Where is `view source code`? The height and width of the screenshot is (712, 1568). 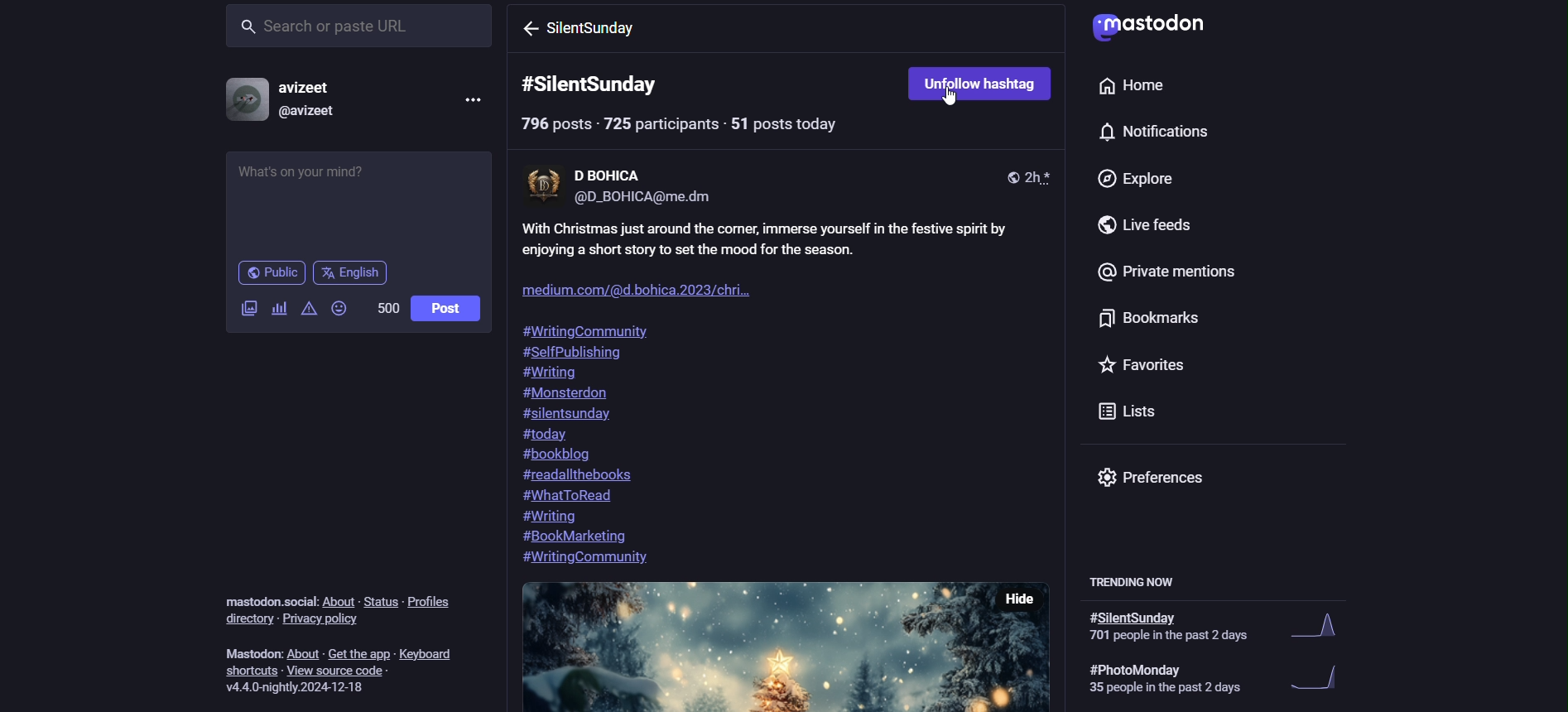
view source code is located at coordinates (349, 671).